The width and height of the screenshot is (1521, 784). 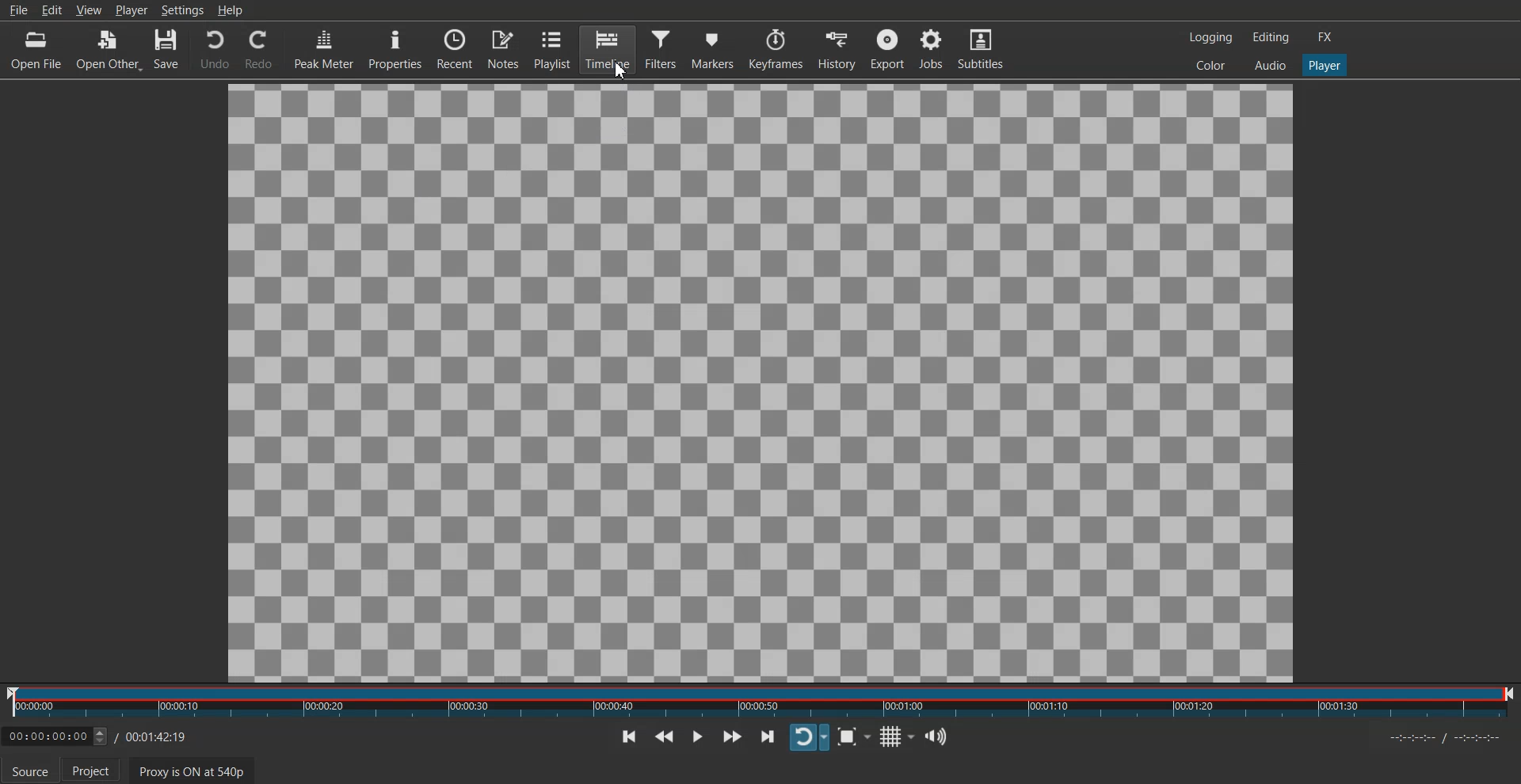 I want to click on Open File, so click(x=38, y=50).